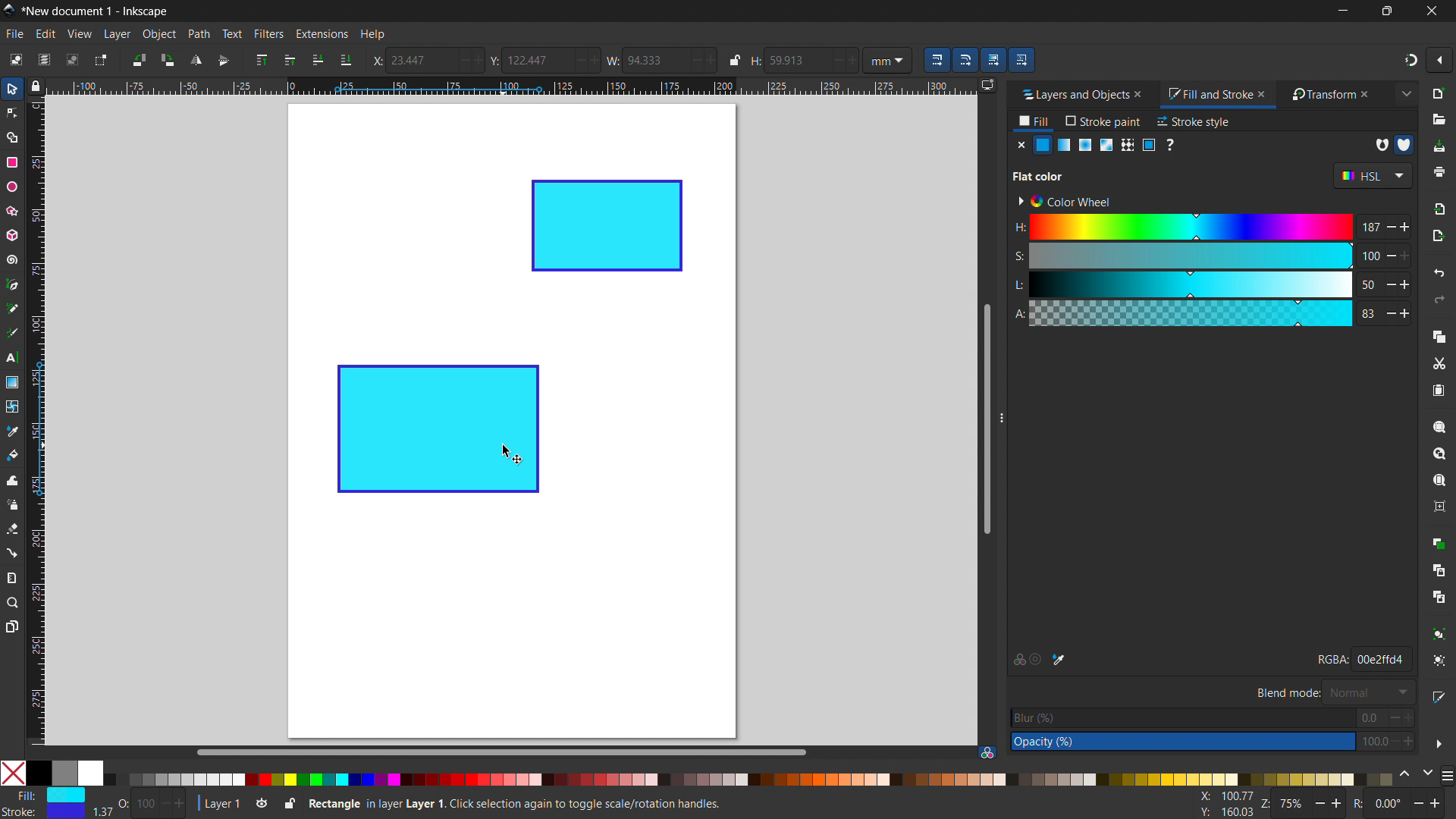 The image size is (1456, 819). I want to click on more options, so click(1439, 744).